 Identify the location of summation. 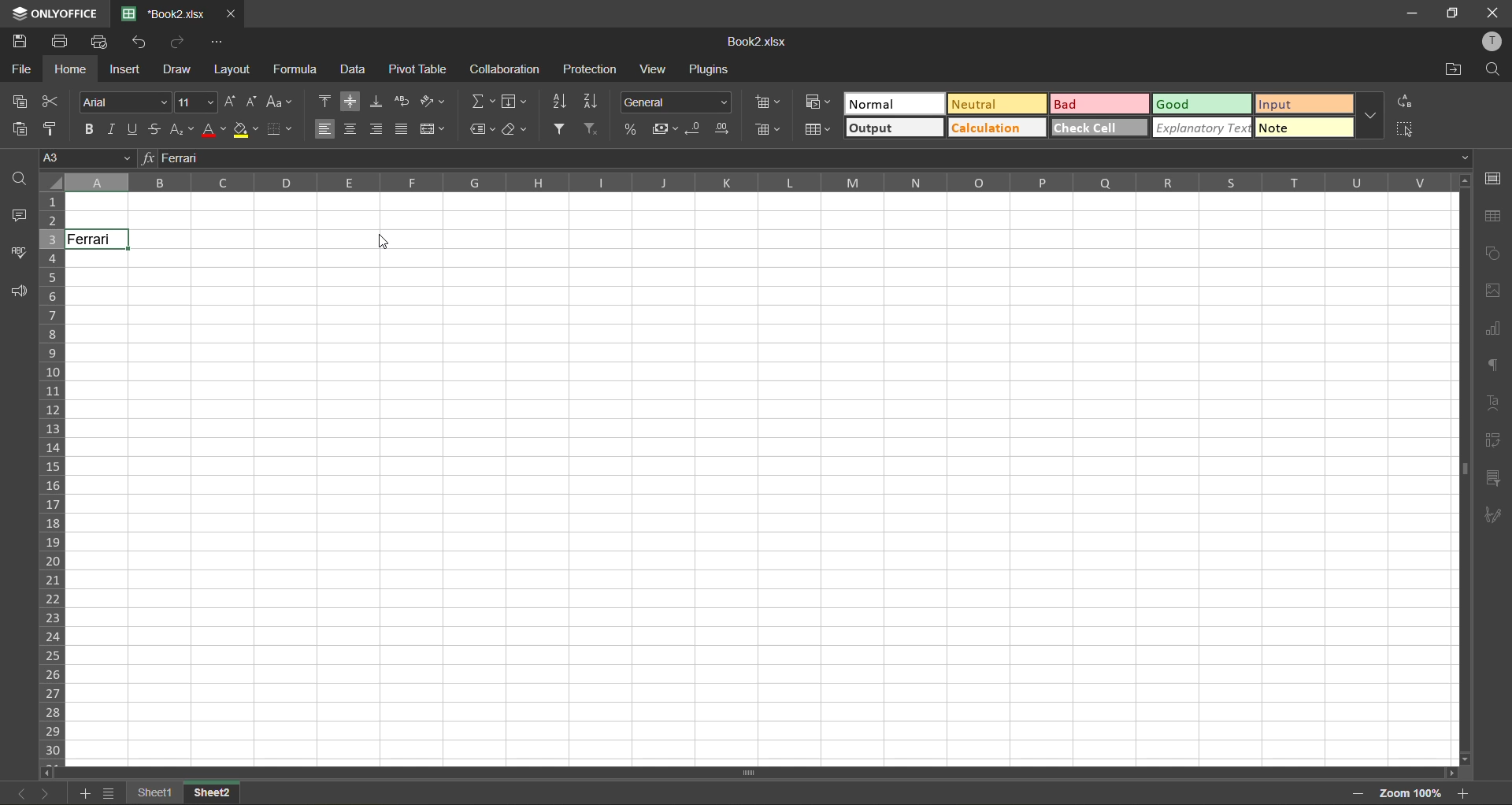
(480, 102).